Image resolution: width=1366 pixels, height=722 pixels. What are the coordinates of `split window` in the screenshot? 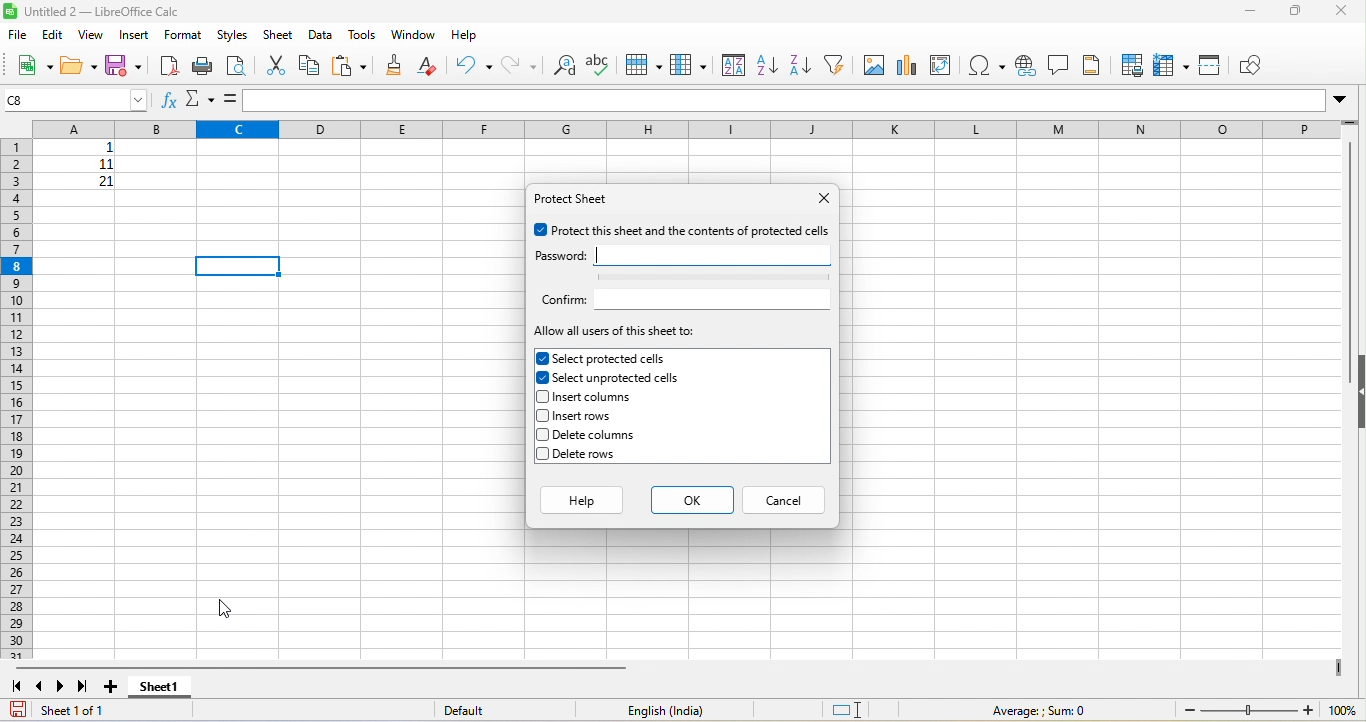 It's located at (1211, 67).